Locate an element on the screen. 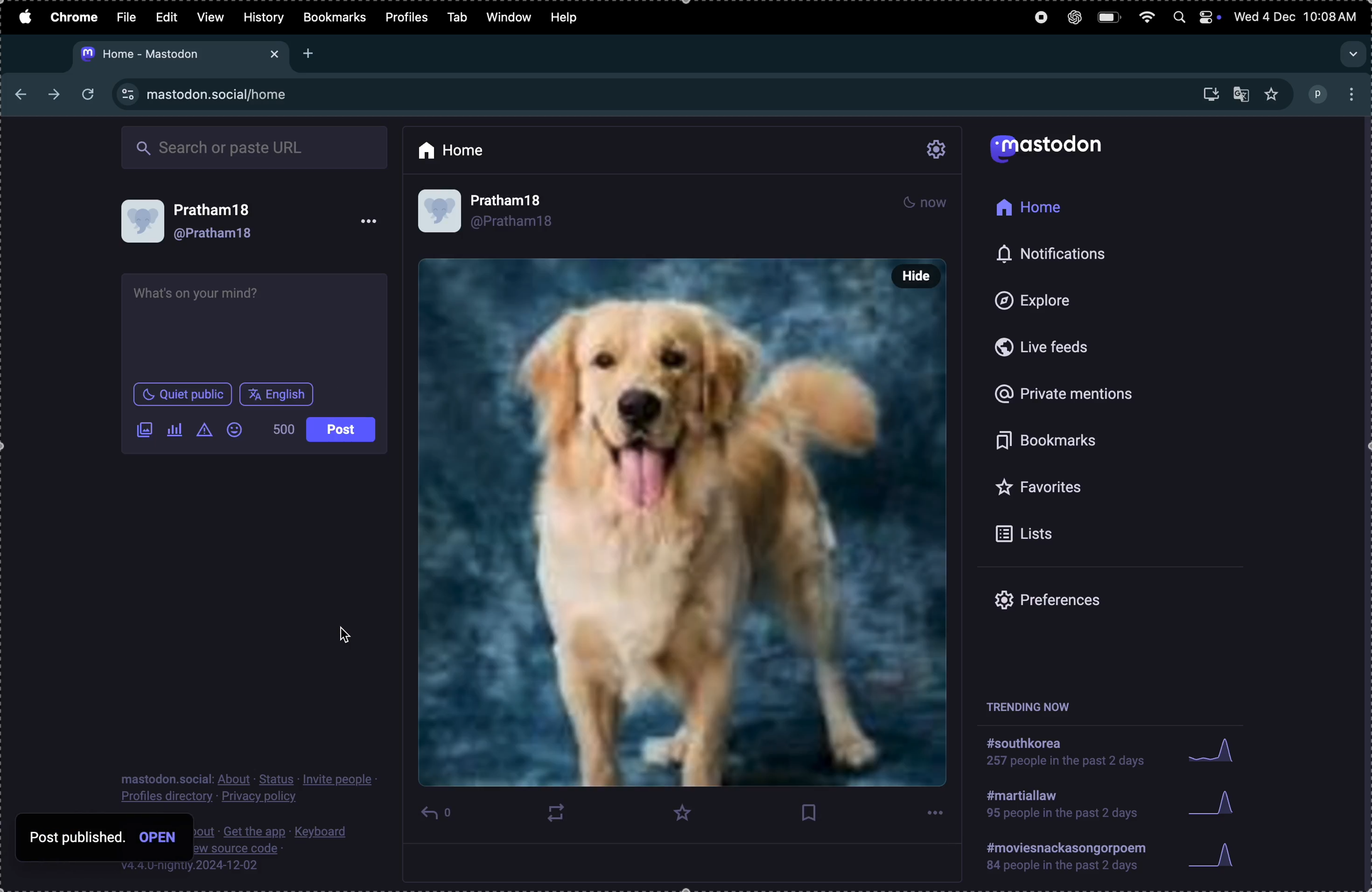 The width and height of the screenshot is (1372, 892). post published is located at coordinates (76, 836).